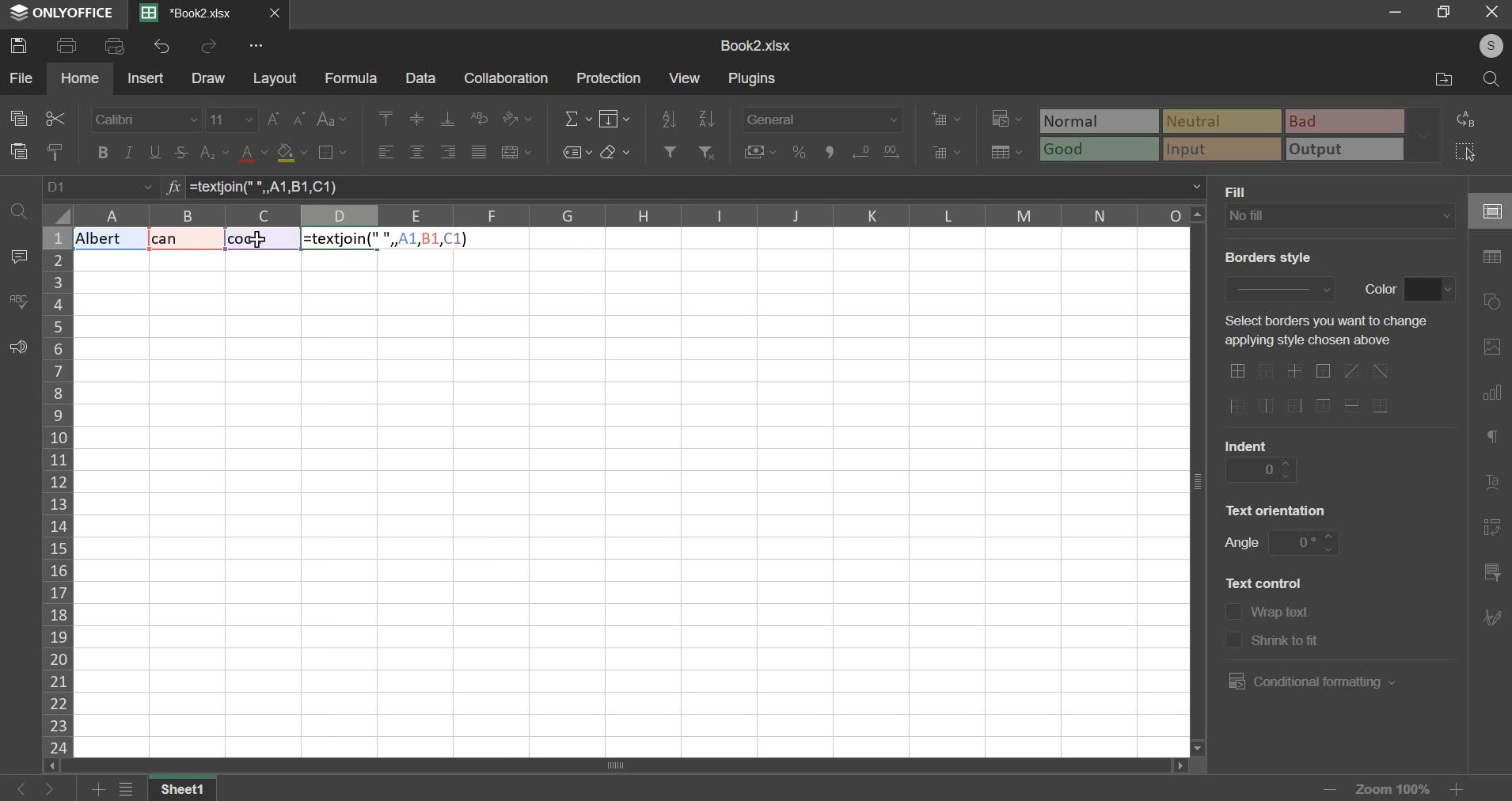  I want to click on text, so click(1247, 443).